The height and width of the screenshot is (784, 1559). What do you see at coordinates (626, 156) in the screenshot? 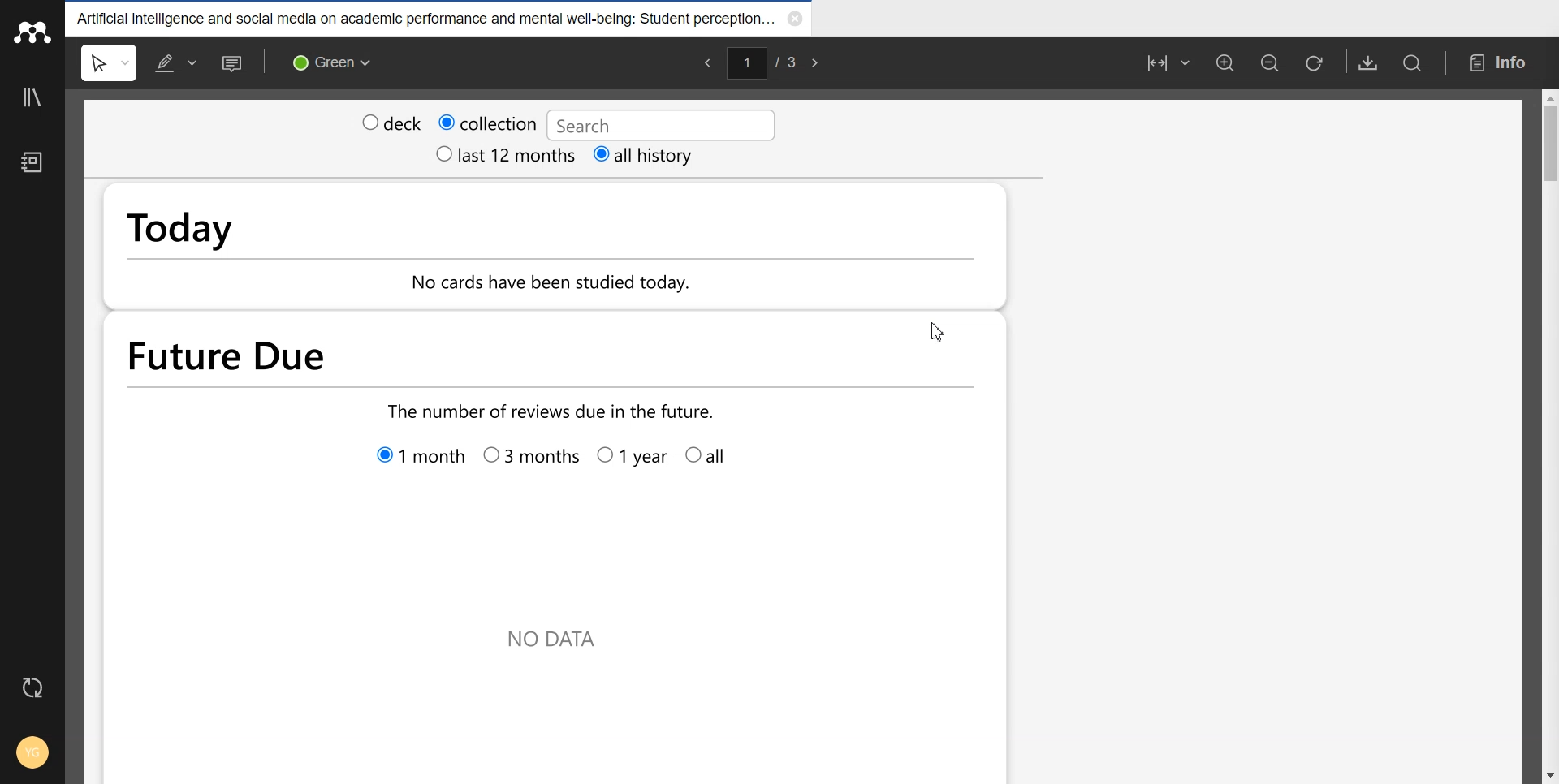
I see `all history` at bounding box center [626, 156].